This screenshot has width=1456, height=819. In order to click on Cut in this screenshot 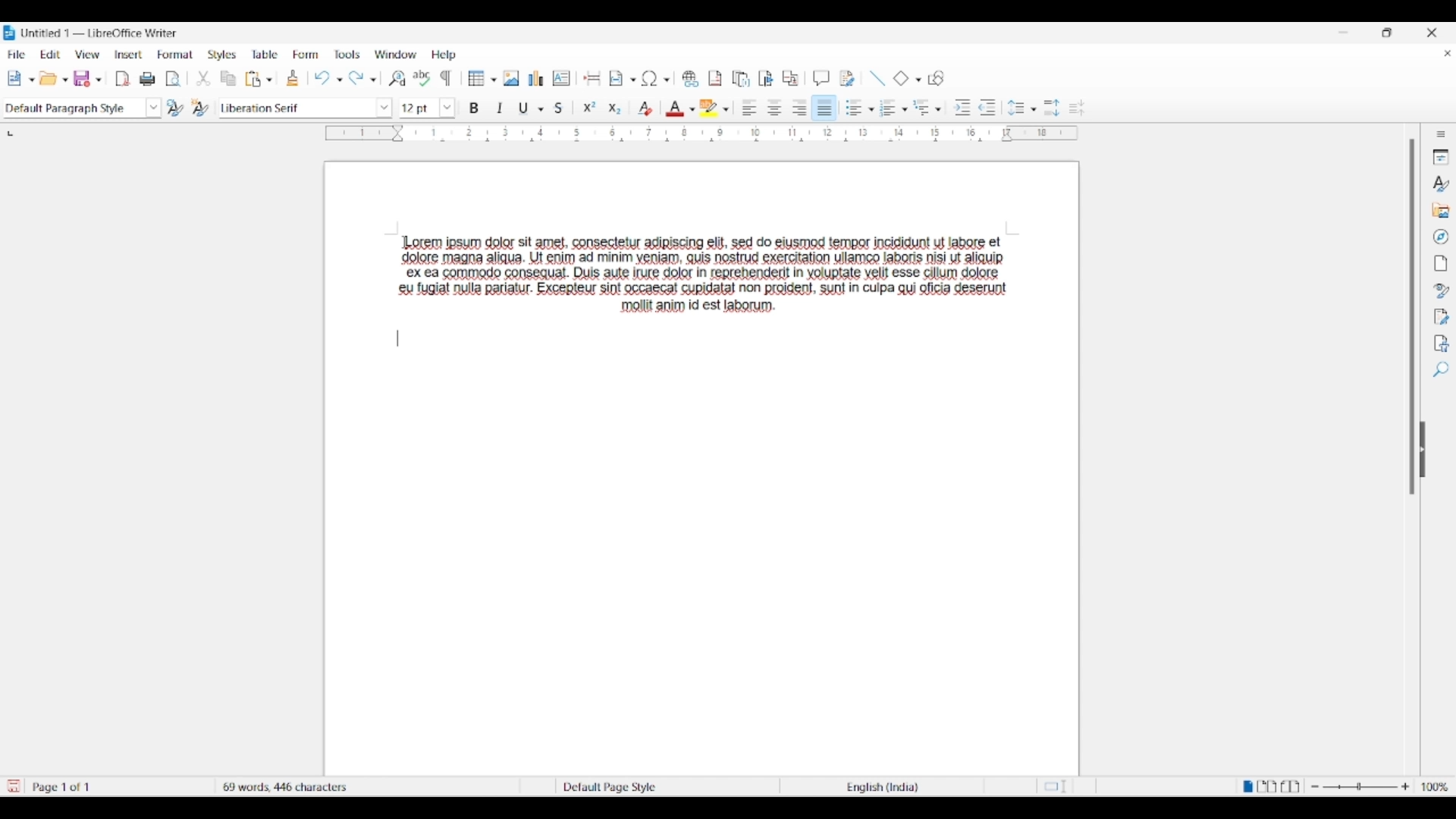, I will do `click(203, 78)`.